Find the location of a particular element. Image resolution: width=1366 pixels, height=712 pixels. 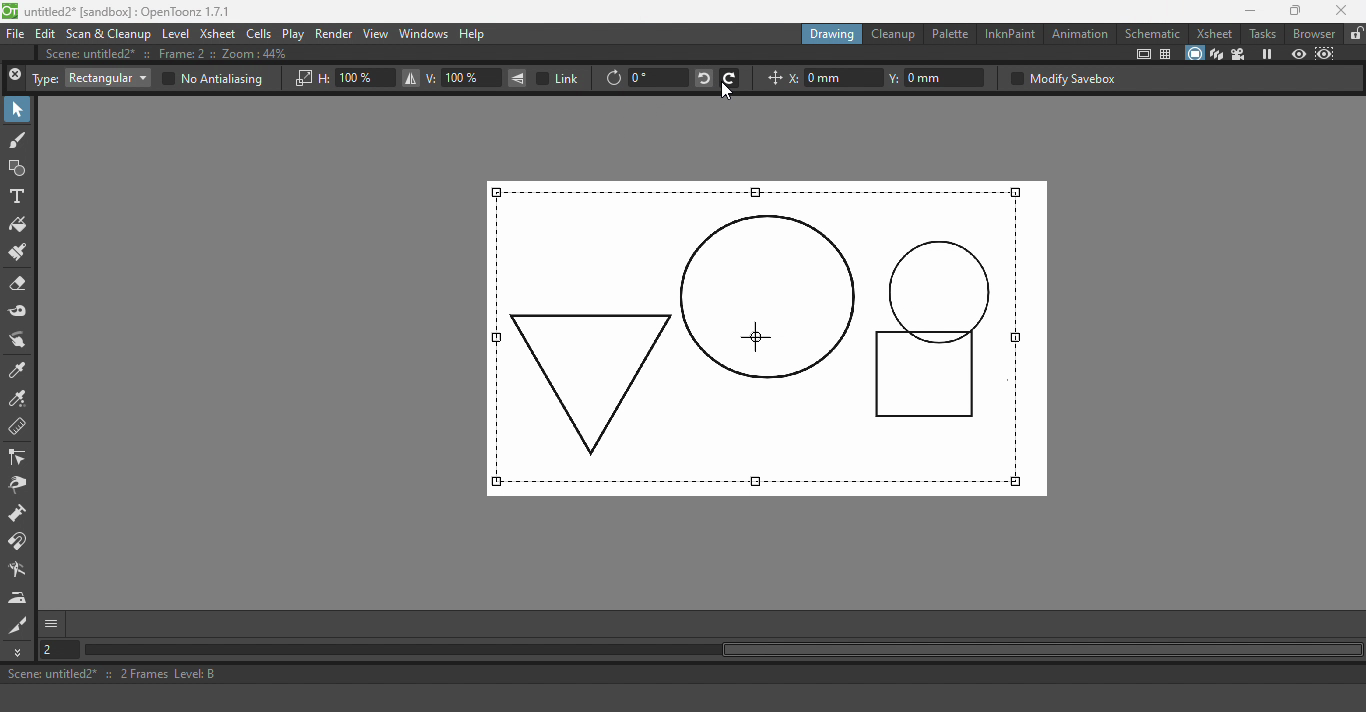

Blender tool is located at coordinates (20, 570).